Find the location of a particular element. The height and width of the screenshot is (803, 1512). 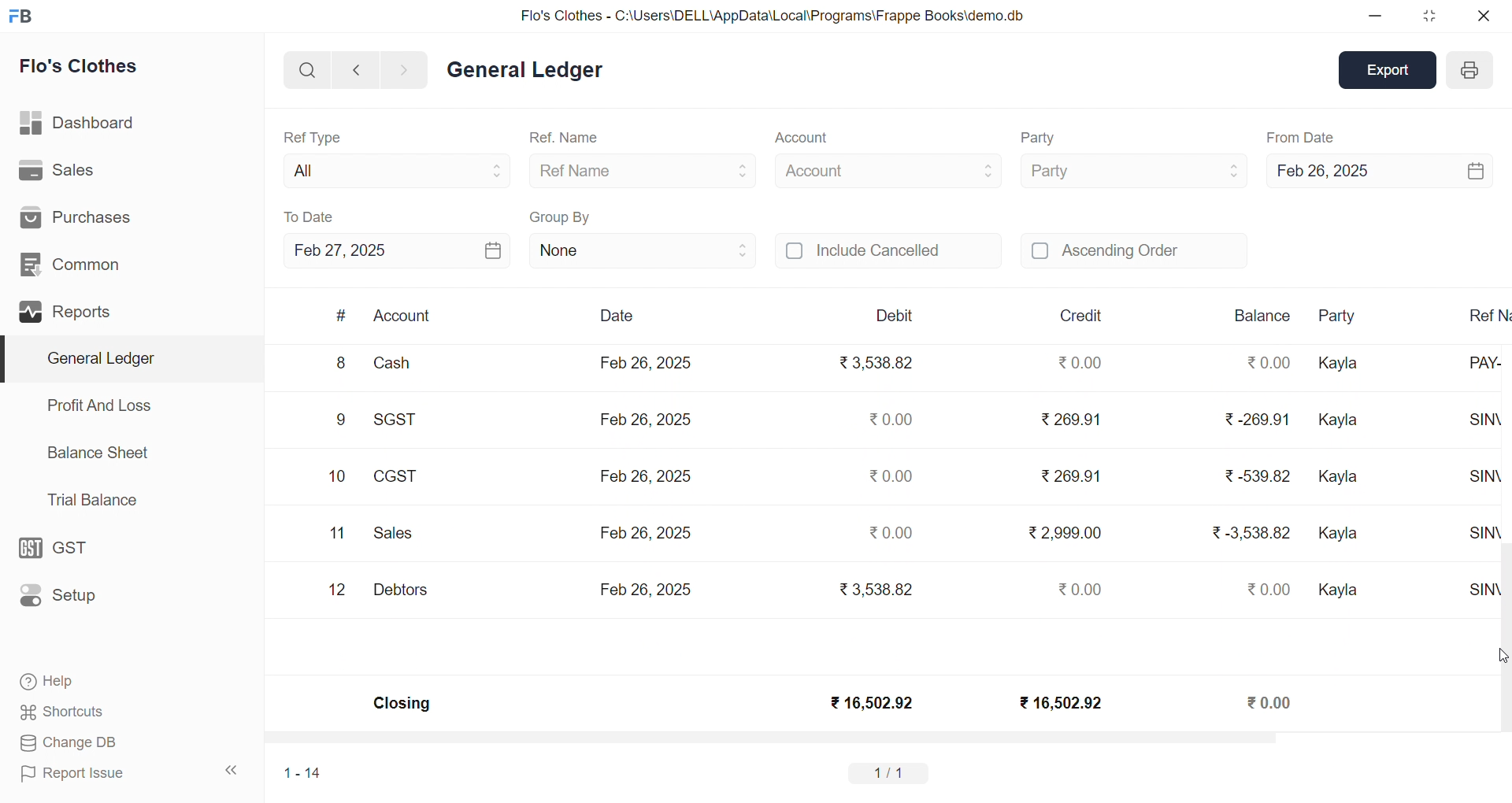

Kayla is located at coordinates (1341, 591).